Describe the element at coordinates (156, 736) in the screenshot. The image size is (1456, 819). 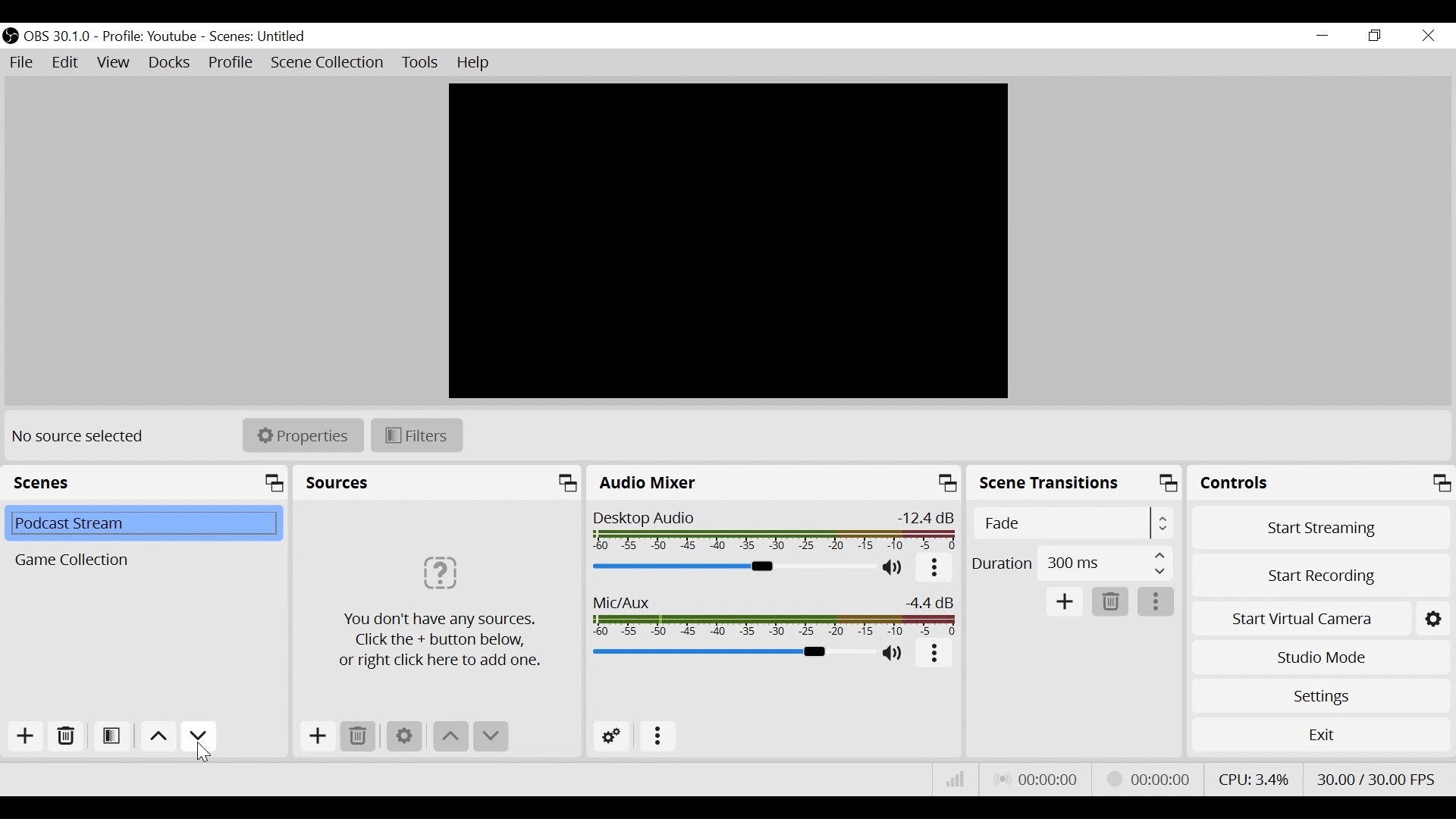
I see `move up` at that location.